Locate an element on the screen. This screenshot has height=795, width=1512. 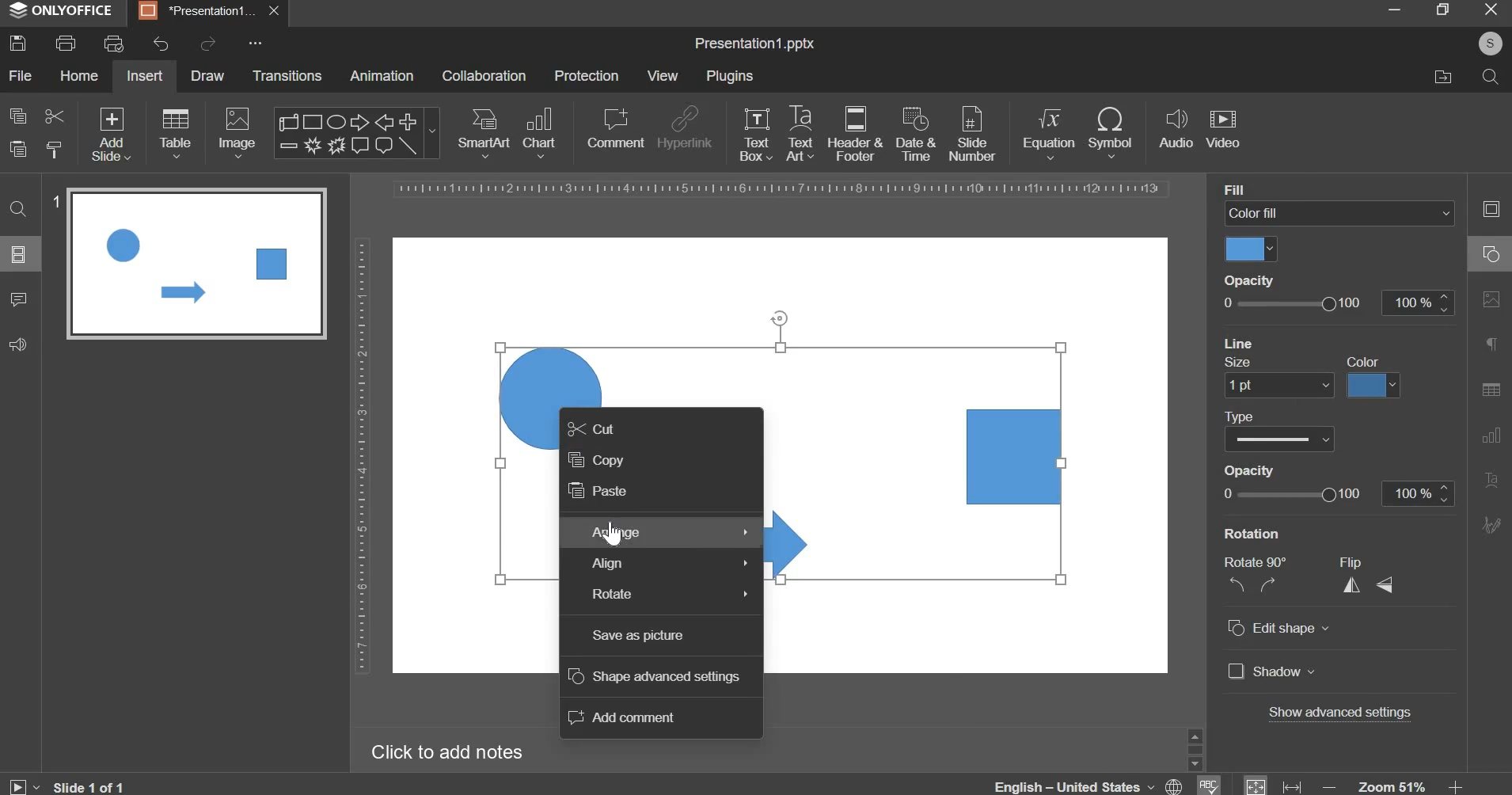
copy is located at coordinates (18, 116).